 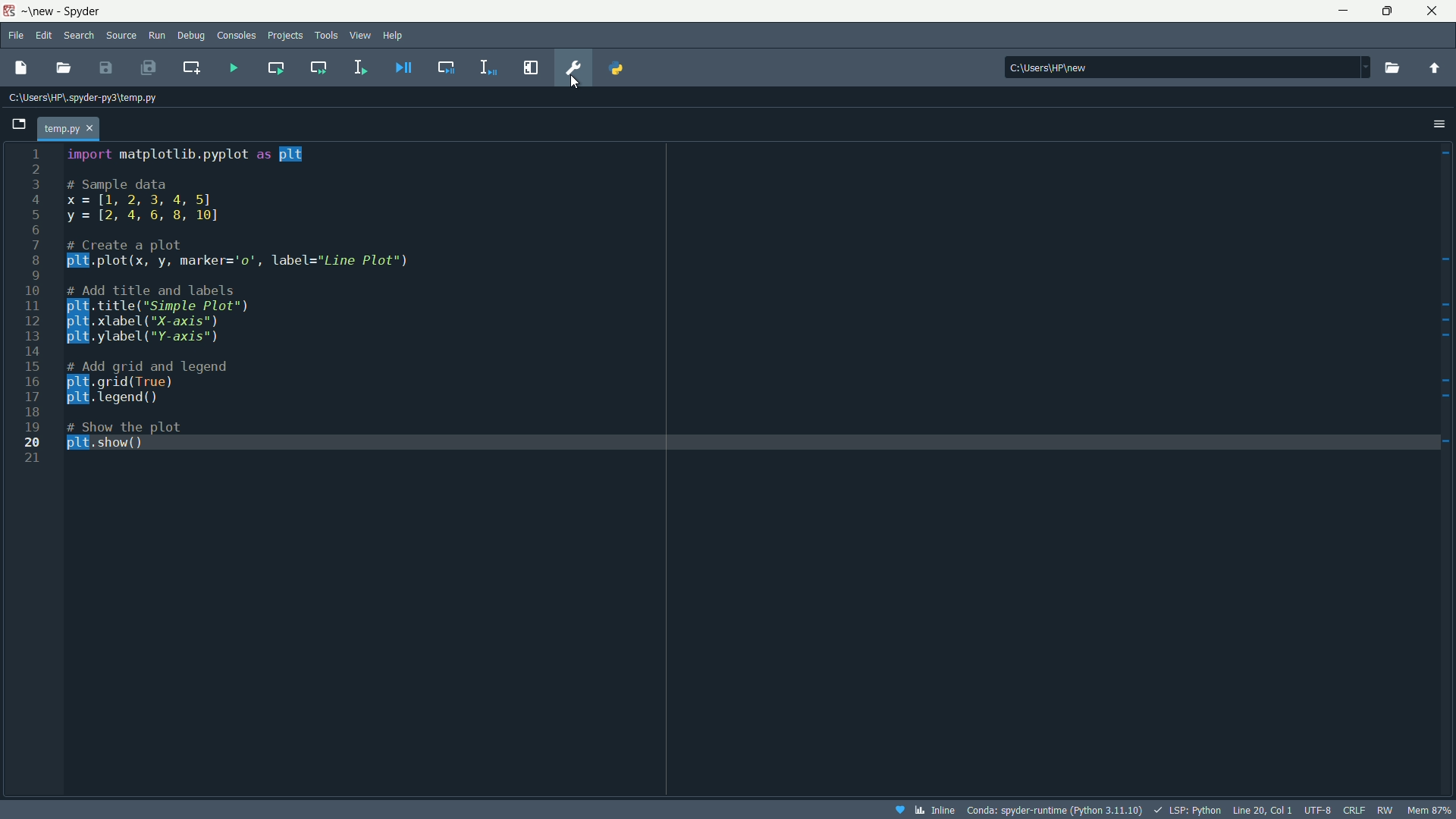 I want to click on save all files, so click(x=147, y=67).